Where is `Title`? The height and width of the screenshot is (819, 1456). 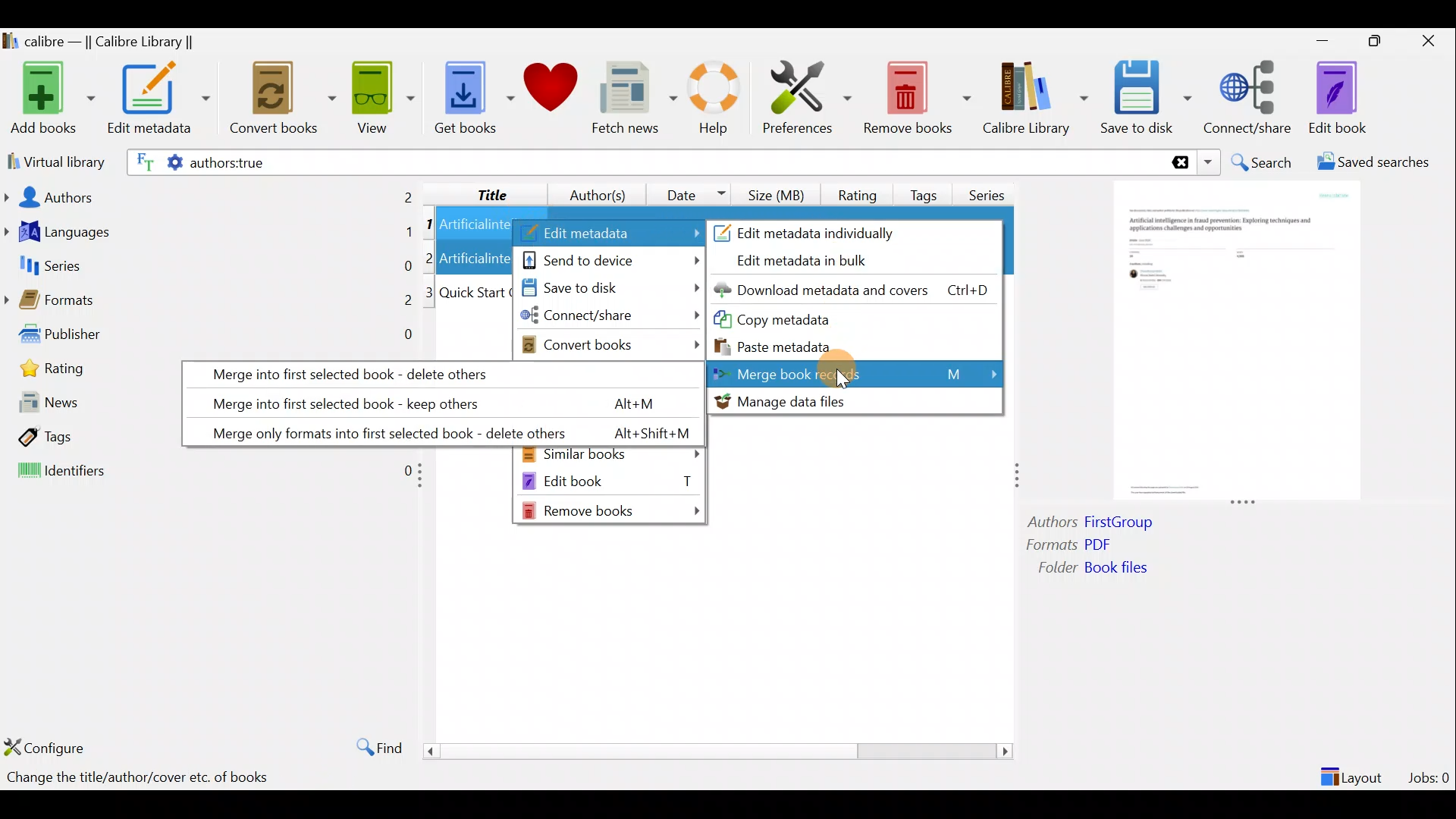
Title is located at coordinates (480, 192).